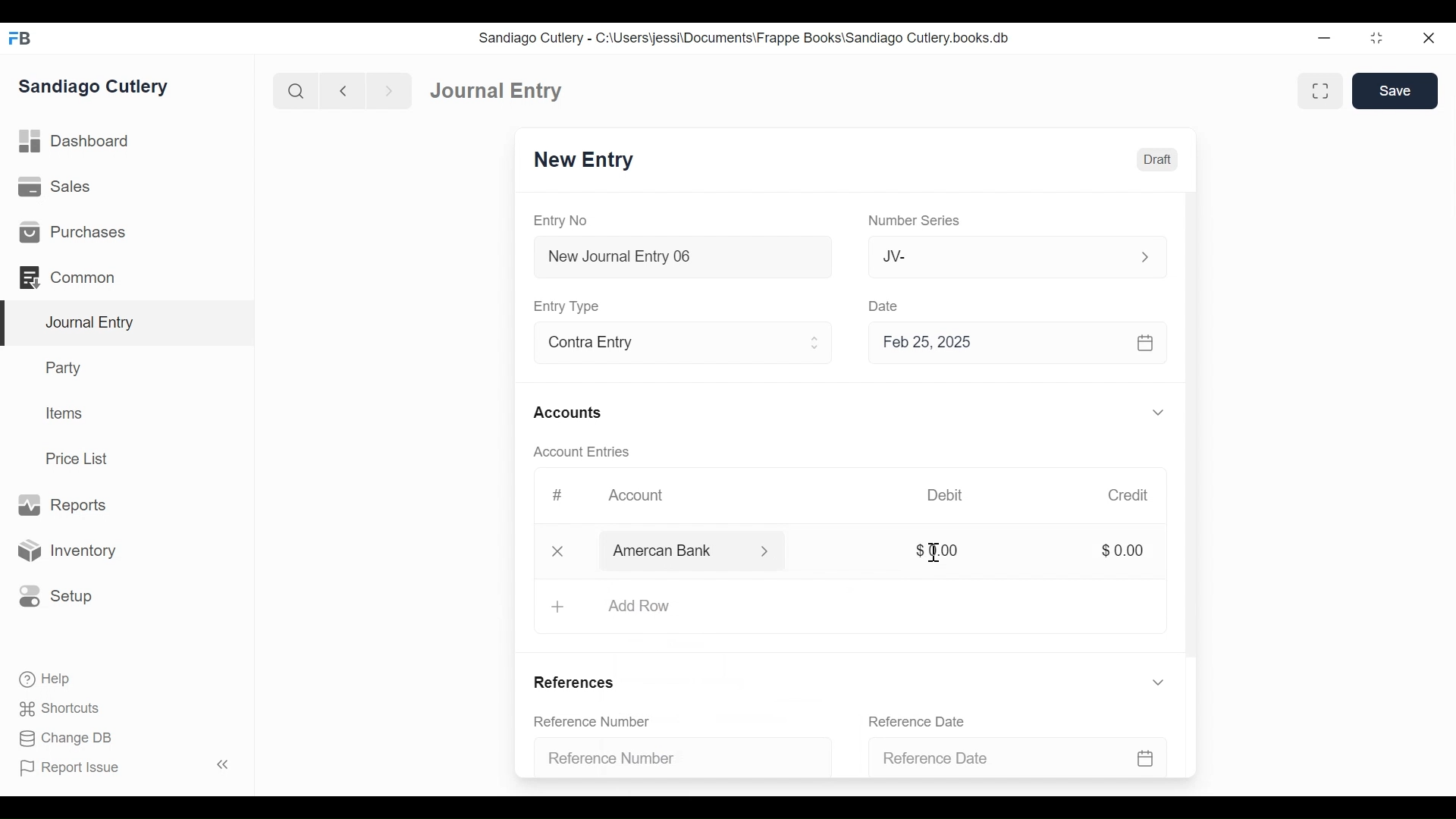 The height and width of the screenshot is (819, 1456). Describe the element at coordinates (601, 723) in the screenshot. I see `Reference Number` at that location.